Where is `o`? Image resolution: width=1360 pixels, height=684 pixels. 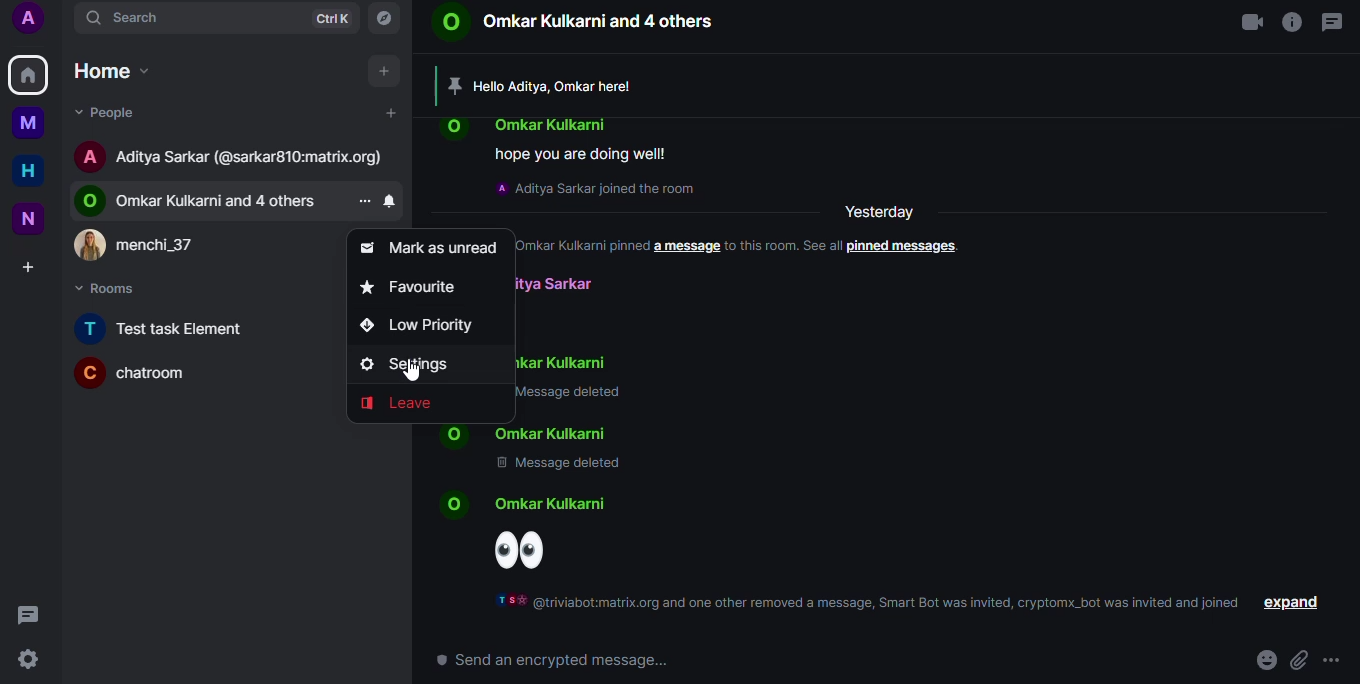
o is located at coordinates (92, 201).